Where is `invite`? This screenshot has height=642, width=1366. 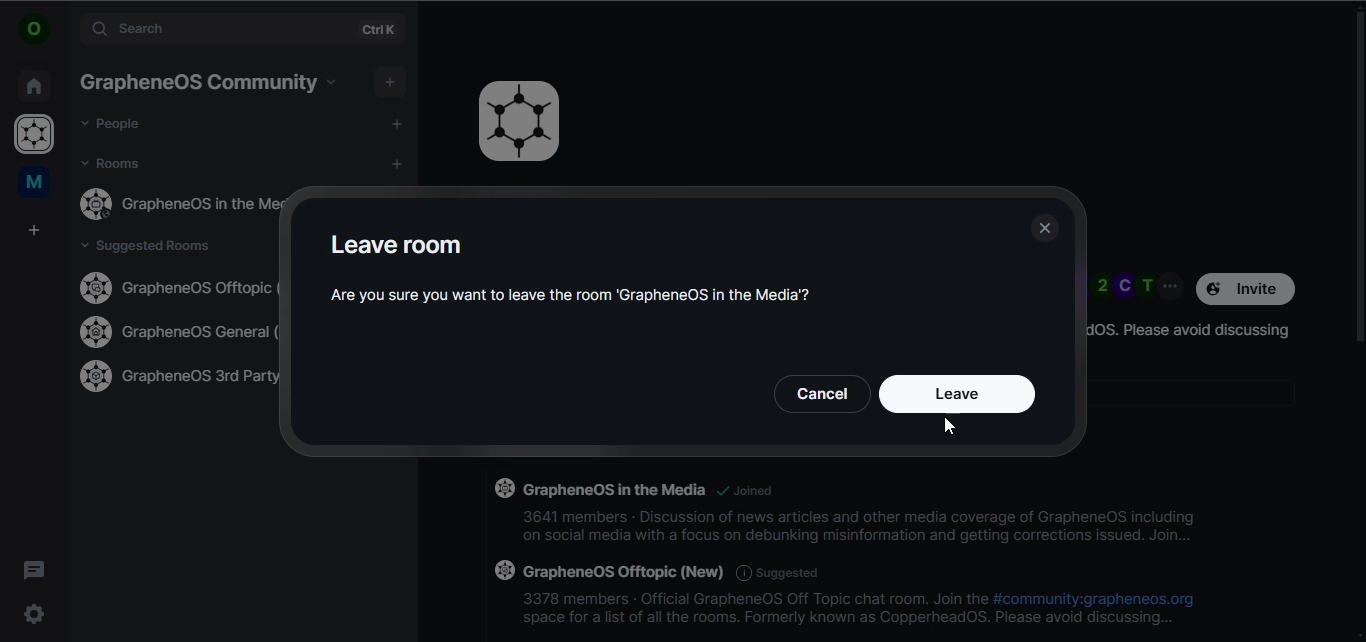 invite is located at coordinates (1247, 288).